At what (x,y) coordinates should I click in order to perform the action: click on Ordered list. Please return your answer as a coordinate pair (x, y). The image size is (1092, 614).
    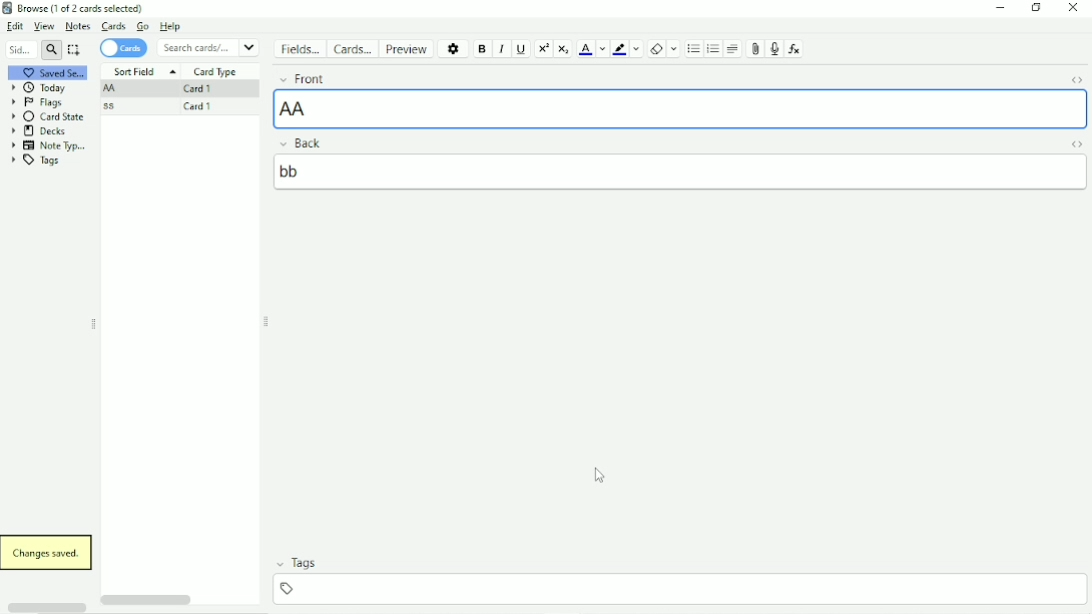
    Looking at the image, I should click on (713, 49).